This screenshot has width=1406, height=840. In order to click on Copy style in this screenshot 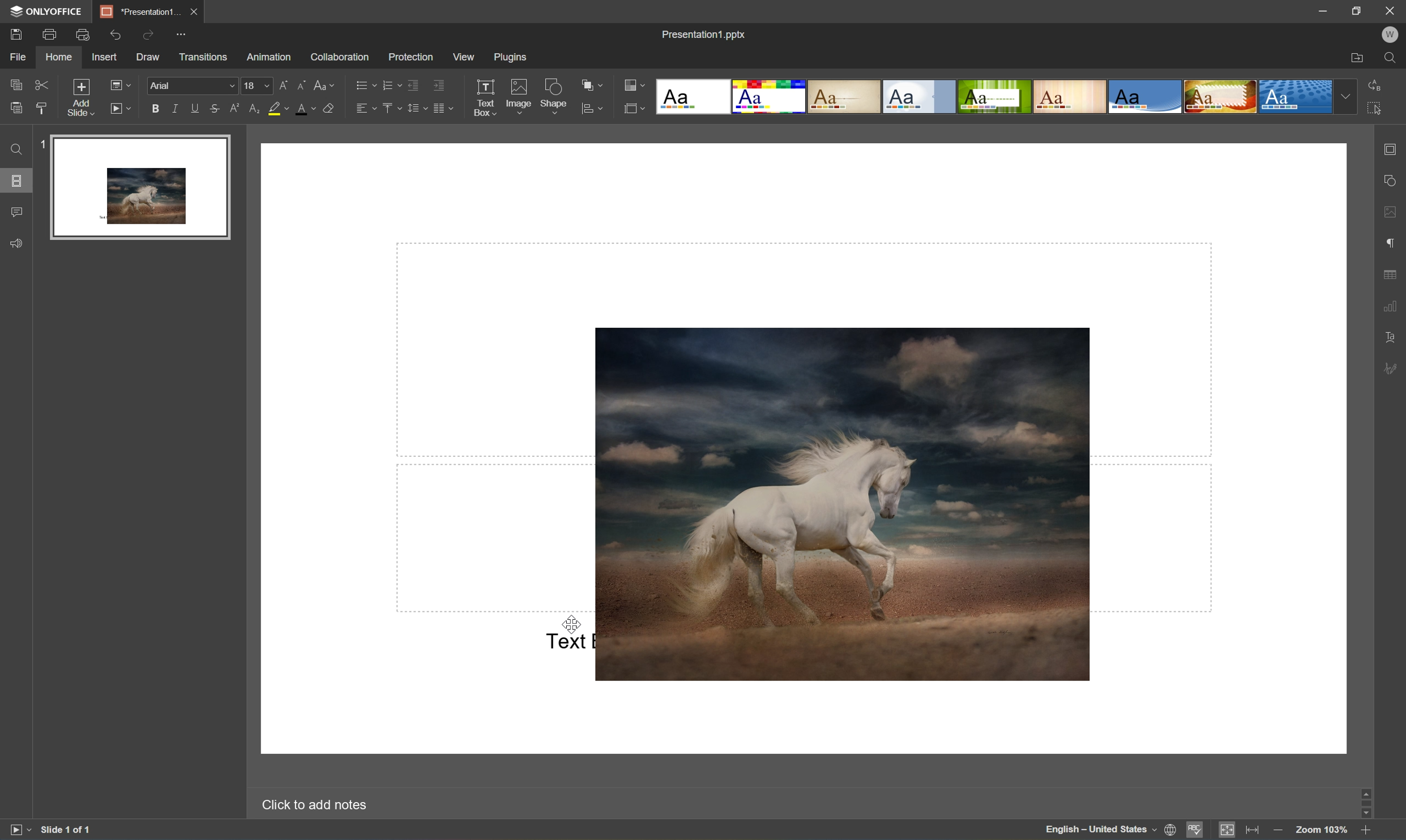, I will do `click(41, 108)`.